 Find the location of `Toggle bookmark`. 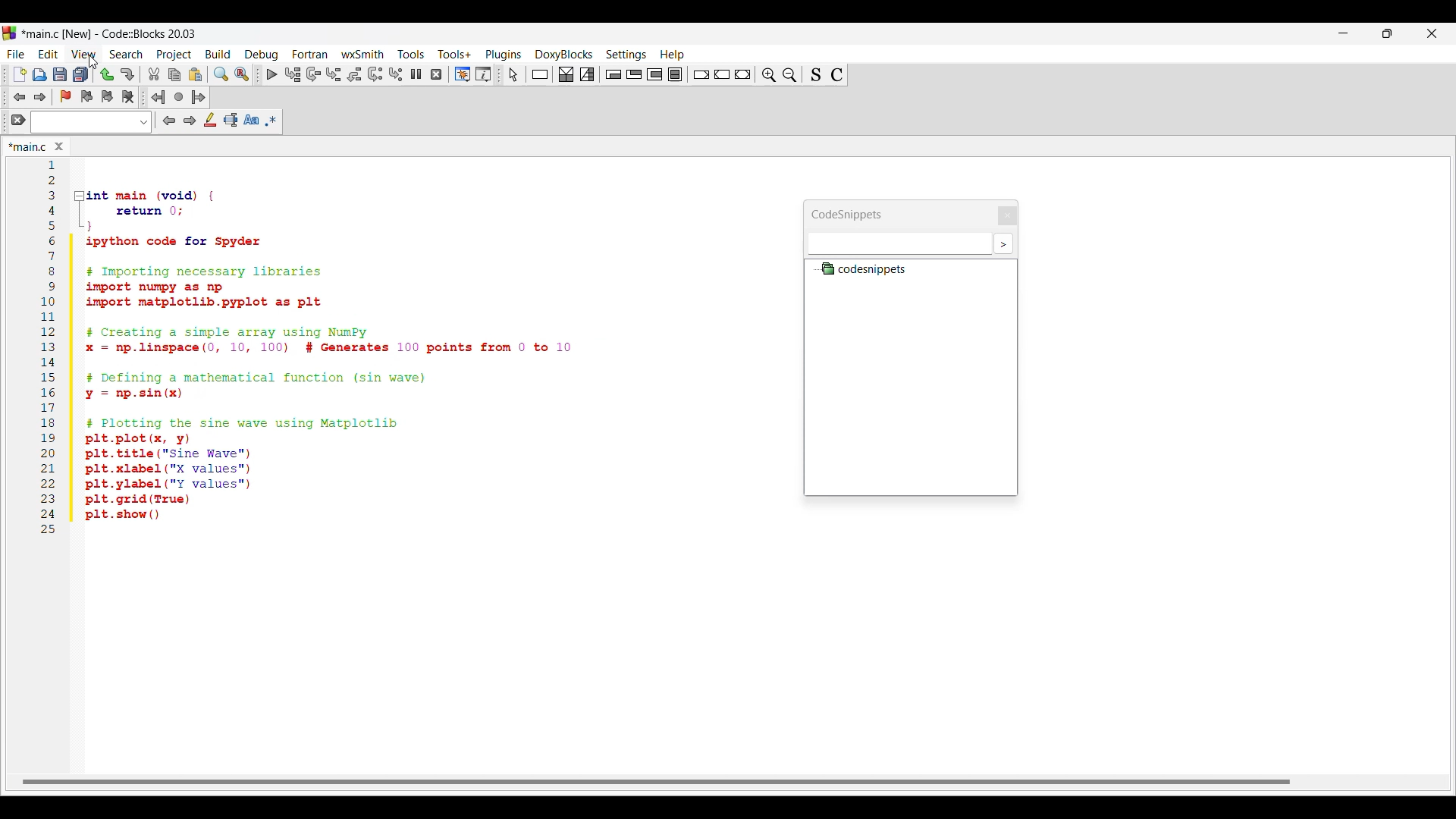

Toggle bookmark is located at coordinates (66, 96).